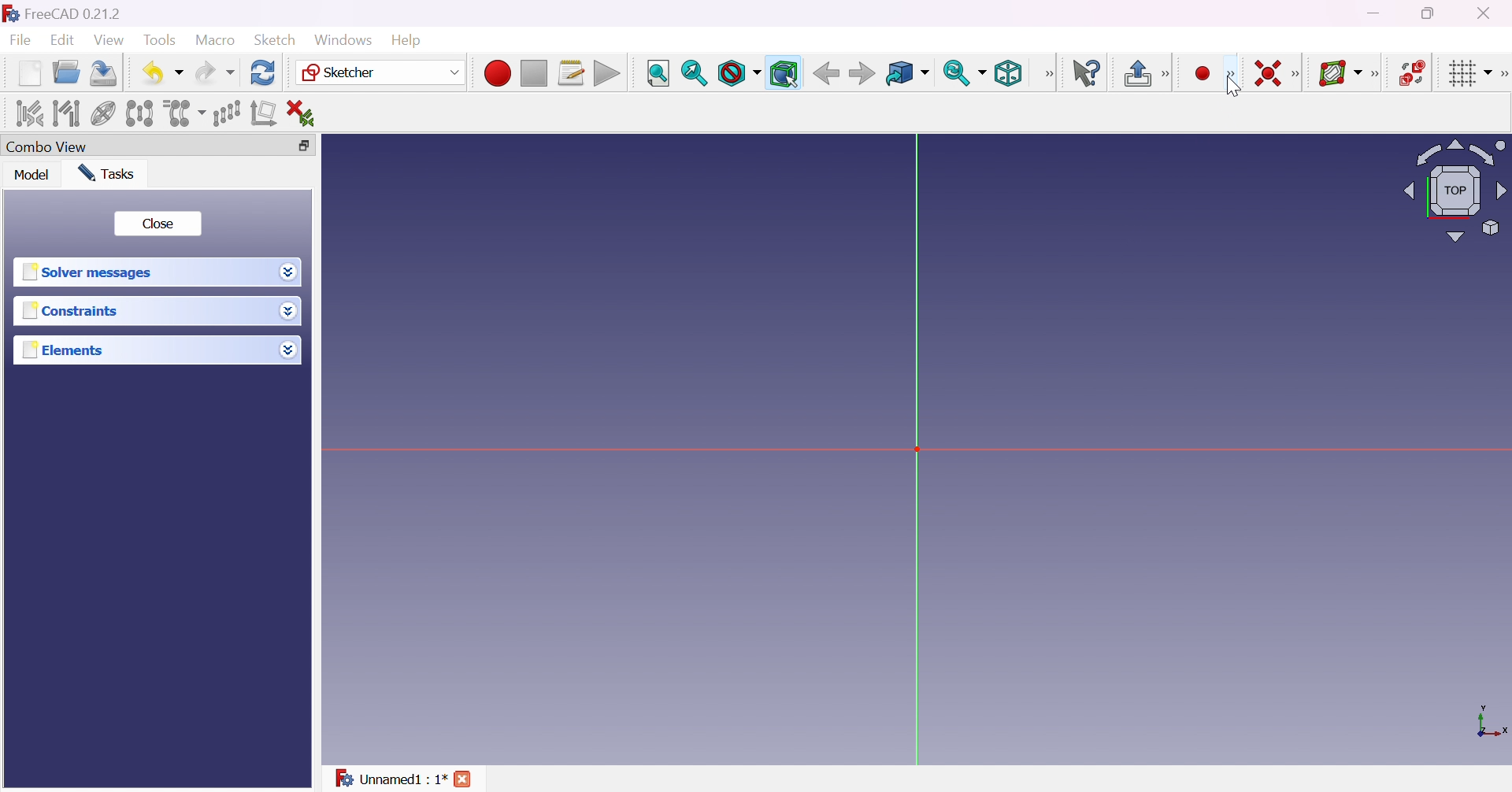  I want to click on Forward, so click(862, 75).